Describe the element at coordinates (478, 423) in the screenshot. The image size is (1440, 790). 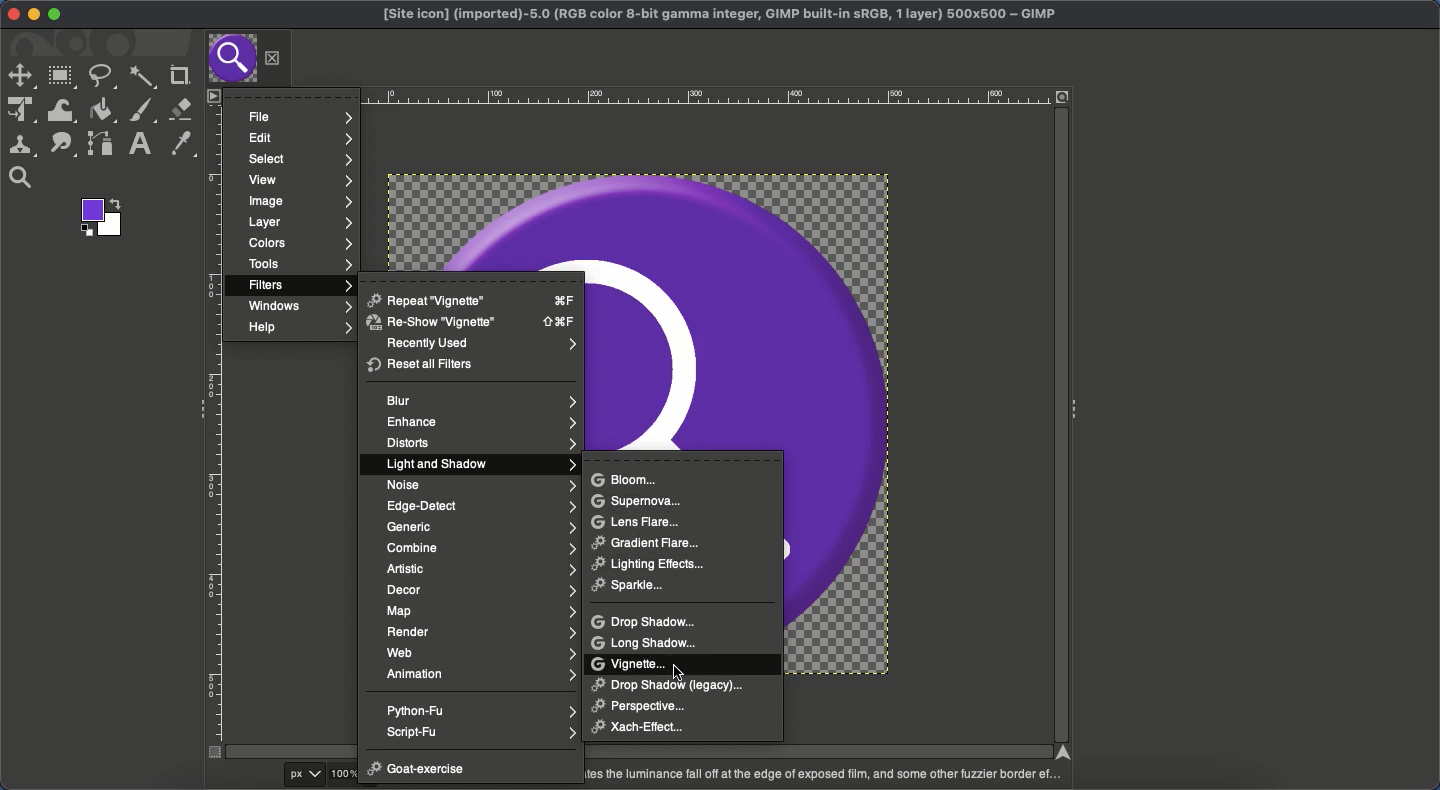
I see `Enhance` at that location.